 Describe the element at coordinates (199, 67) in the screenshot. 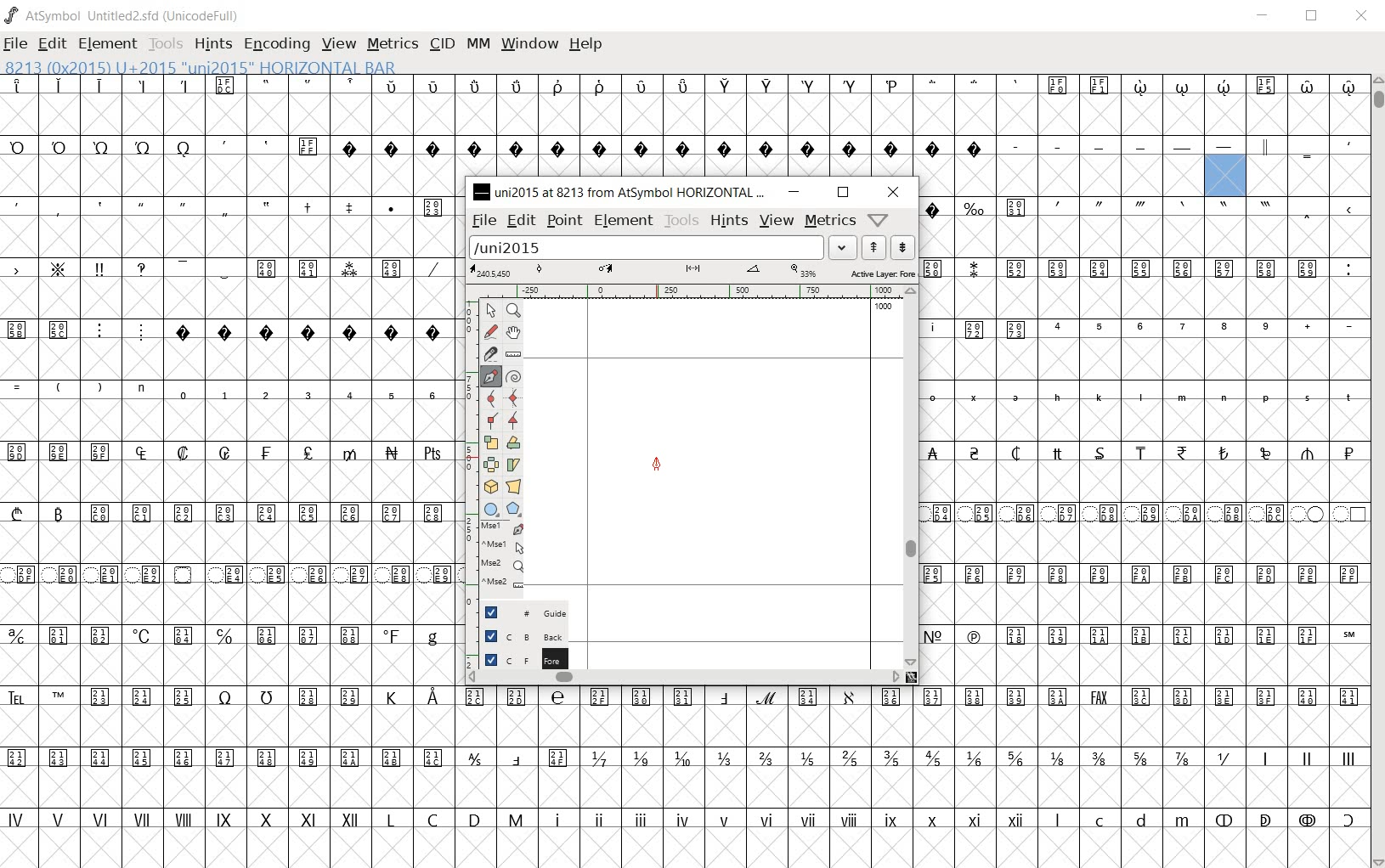

I see `8213 (0x2015) U+2015 "uni2015" HORIZONTAL BAR` at that location.